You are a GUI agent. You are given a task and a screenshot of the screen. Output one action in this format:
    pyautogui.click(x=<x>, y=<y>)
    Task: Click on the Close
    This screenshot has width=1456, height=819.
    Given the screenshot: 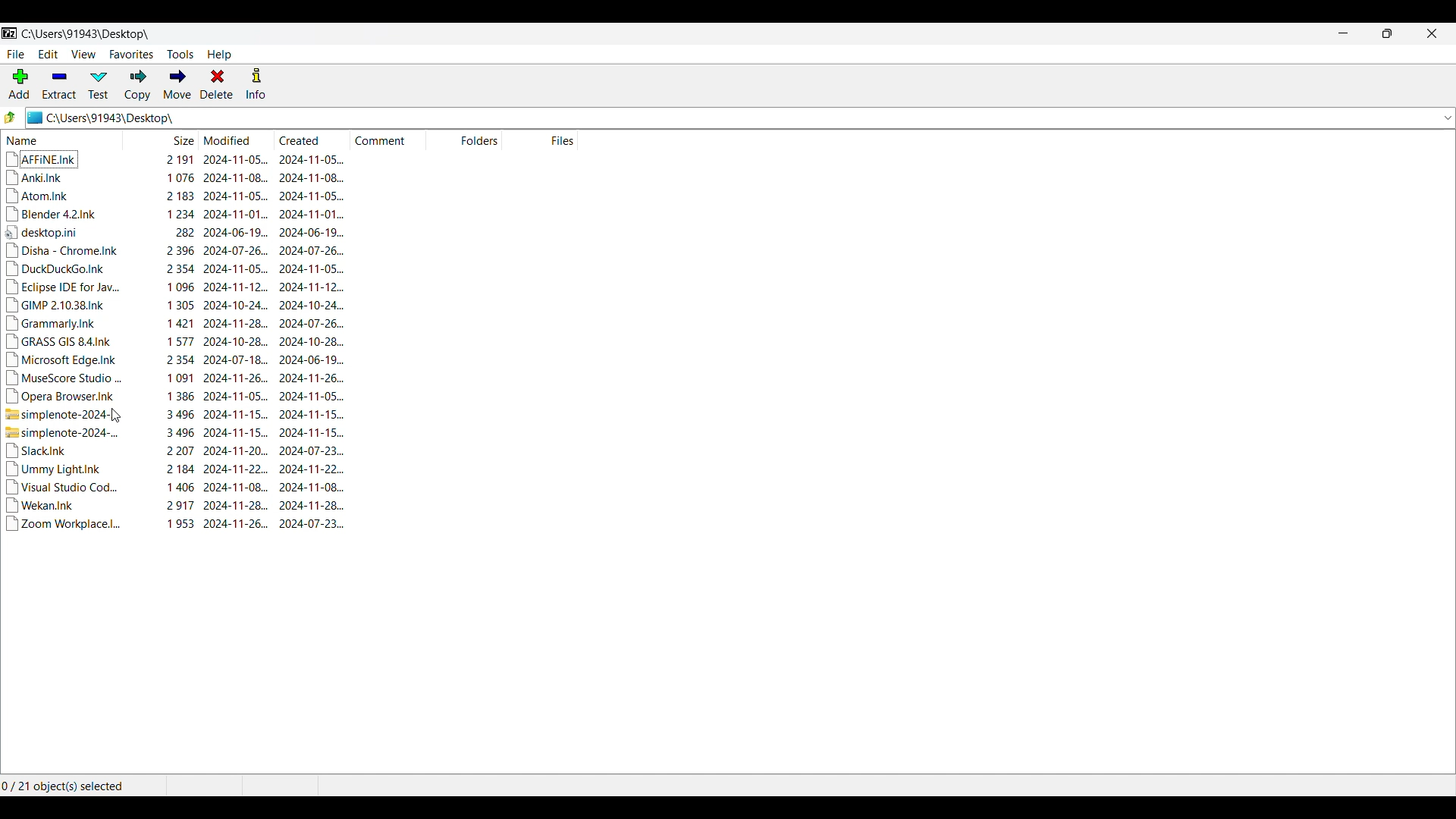 What is the action you would take?
    pyautogui.click(x=1432, y=33)
    